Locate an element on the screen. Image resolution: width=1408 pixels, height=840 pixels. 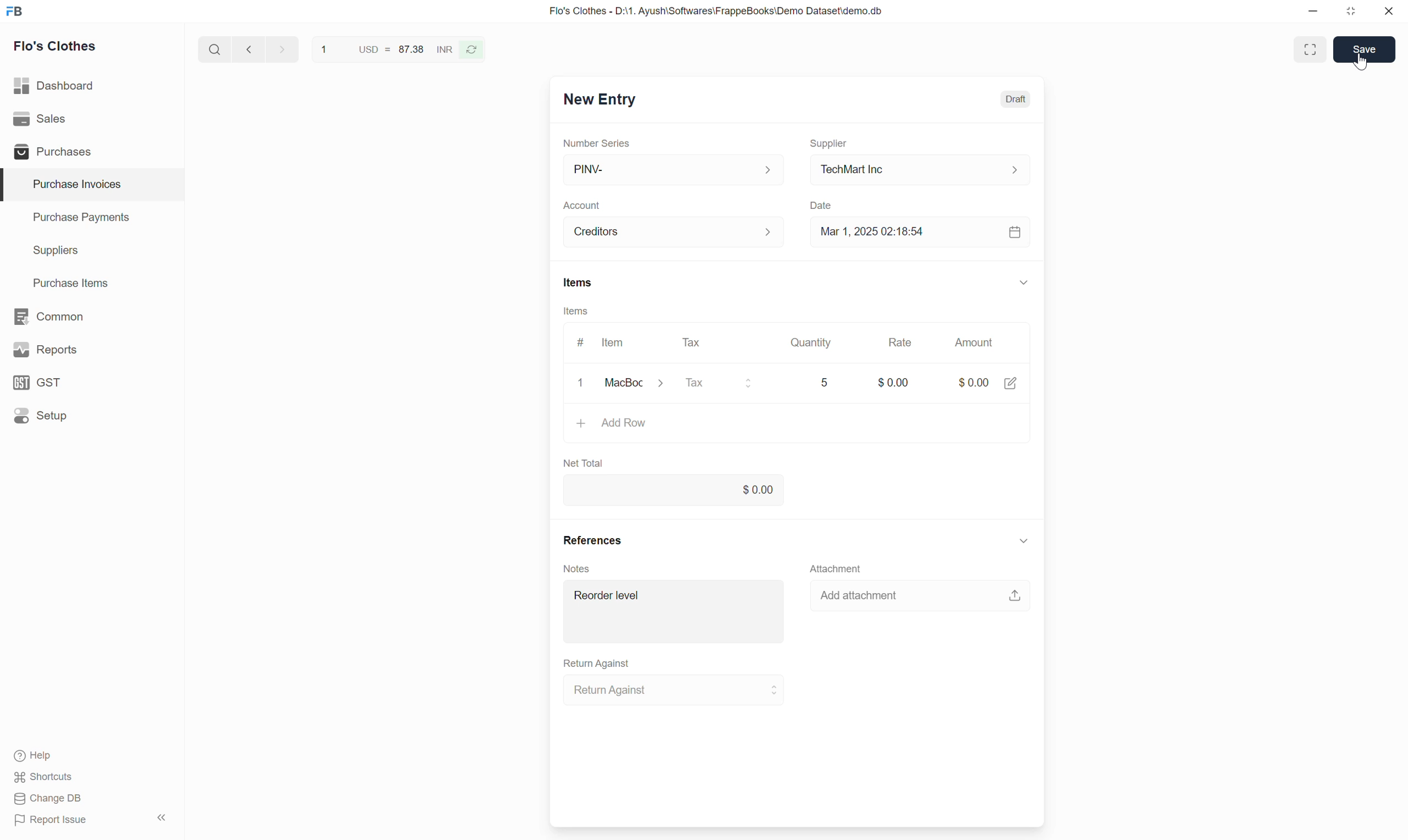
Reverse is located at coordinates (472, 50).